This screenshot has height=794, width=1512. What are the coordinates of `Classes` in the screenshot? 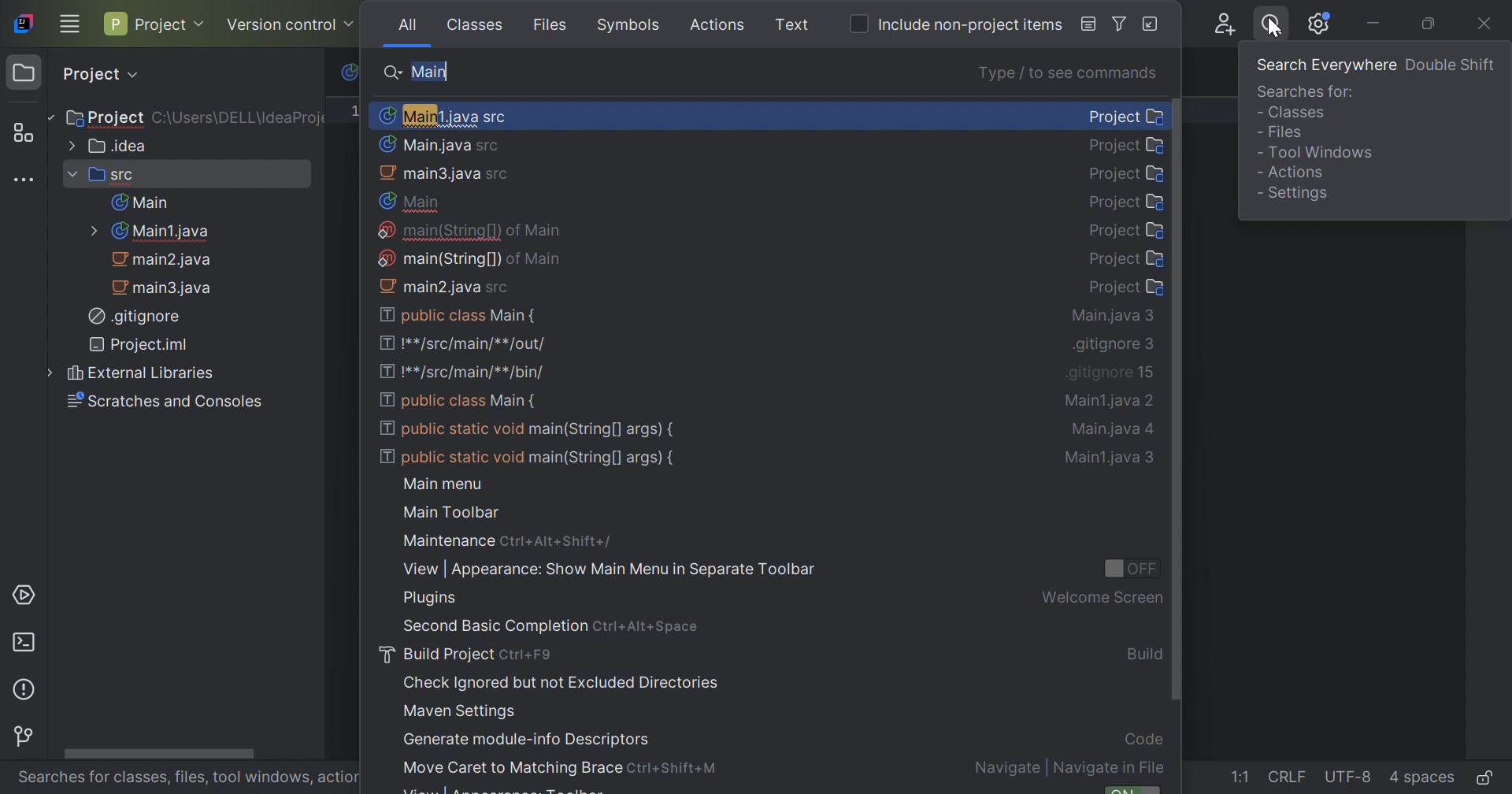 It's located at (477, 26).